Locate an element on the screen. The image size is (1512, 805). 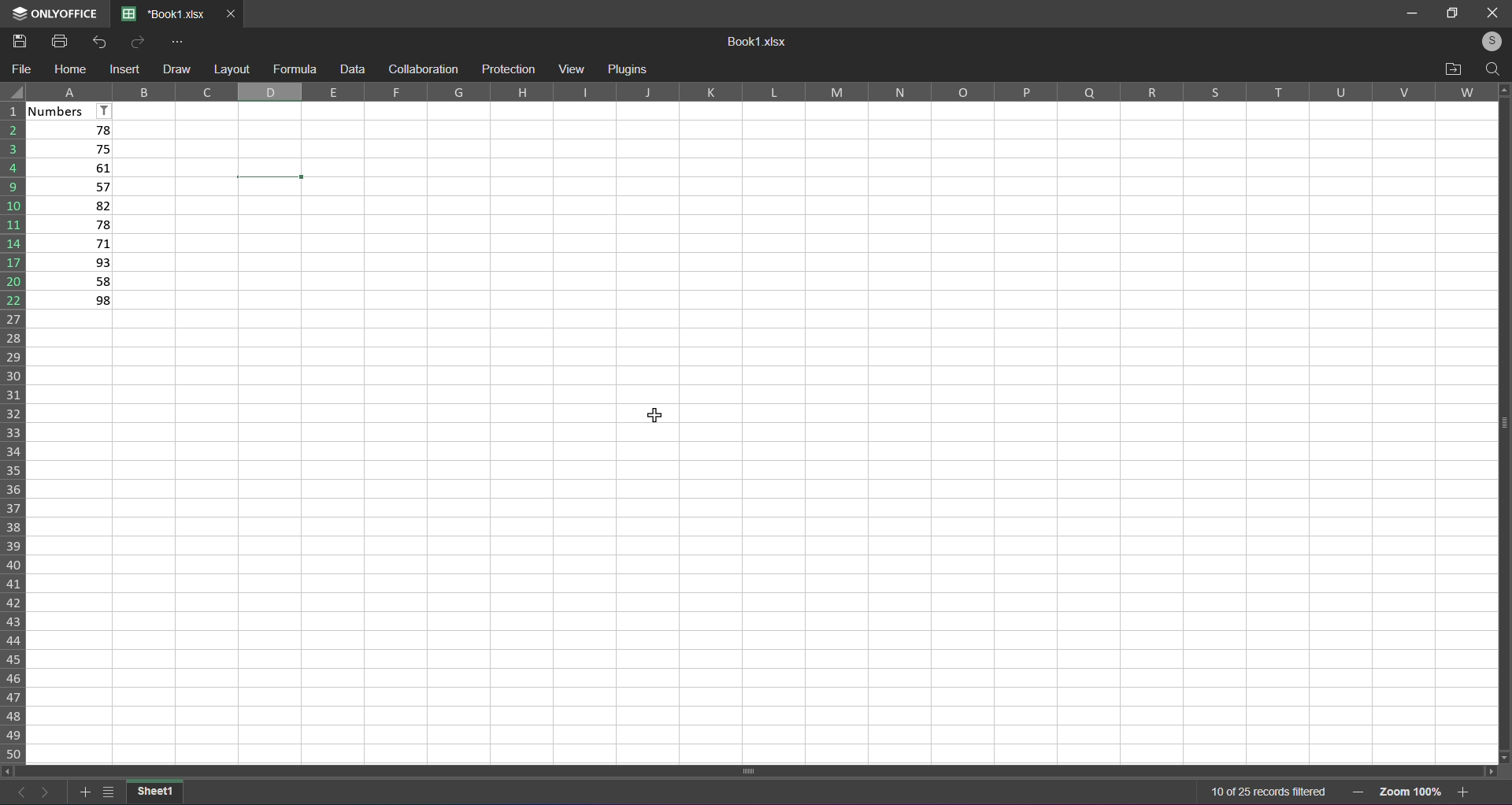
Move left is located at coordinates (8, 770).